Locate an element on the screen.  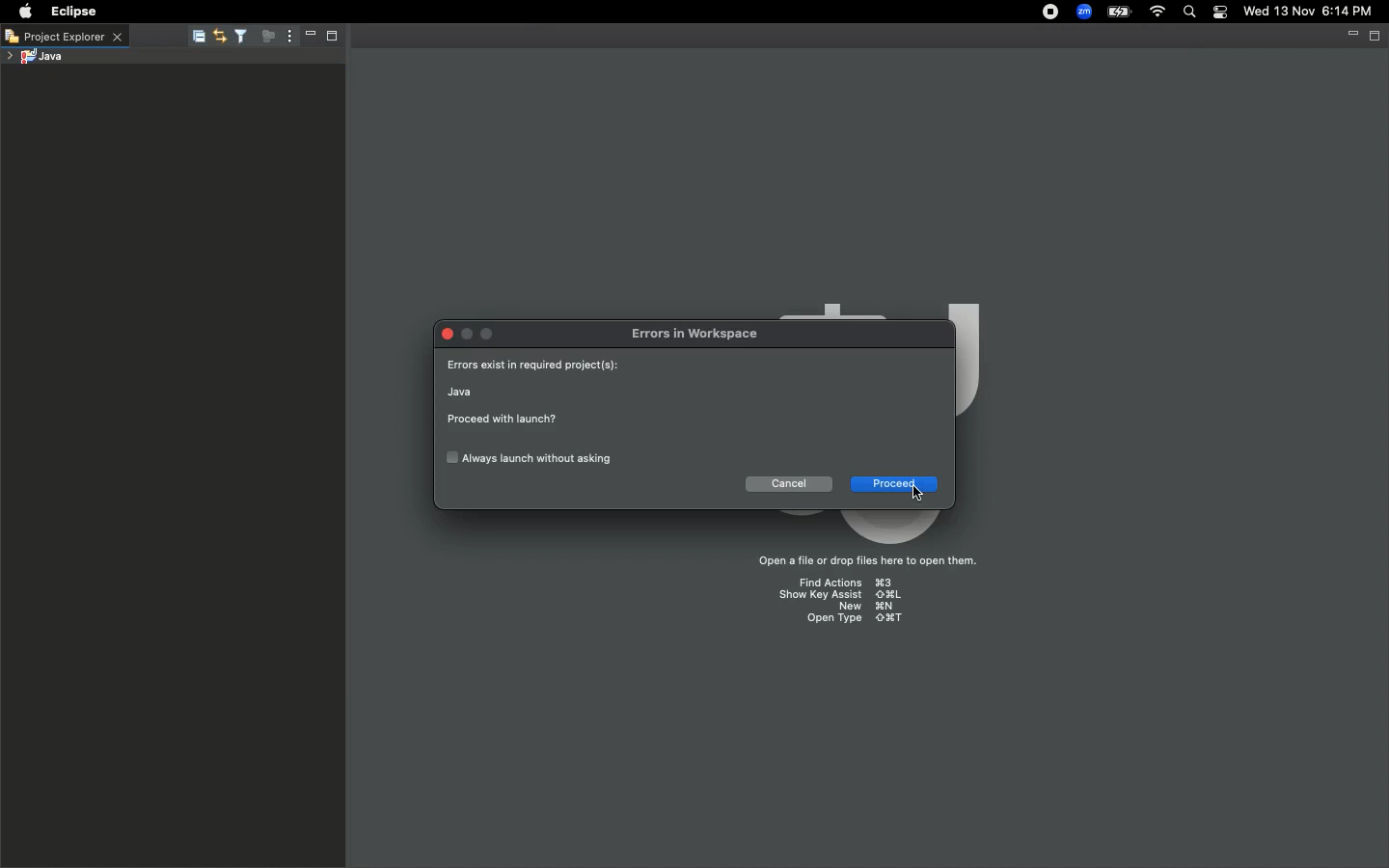
Synchronize is located at coordinates (220, 39).